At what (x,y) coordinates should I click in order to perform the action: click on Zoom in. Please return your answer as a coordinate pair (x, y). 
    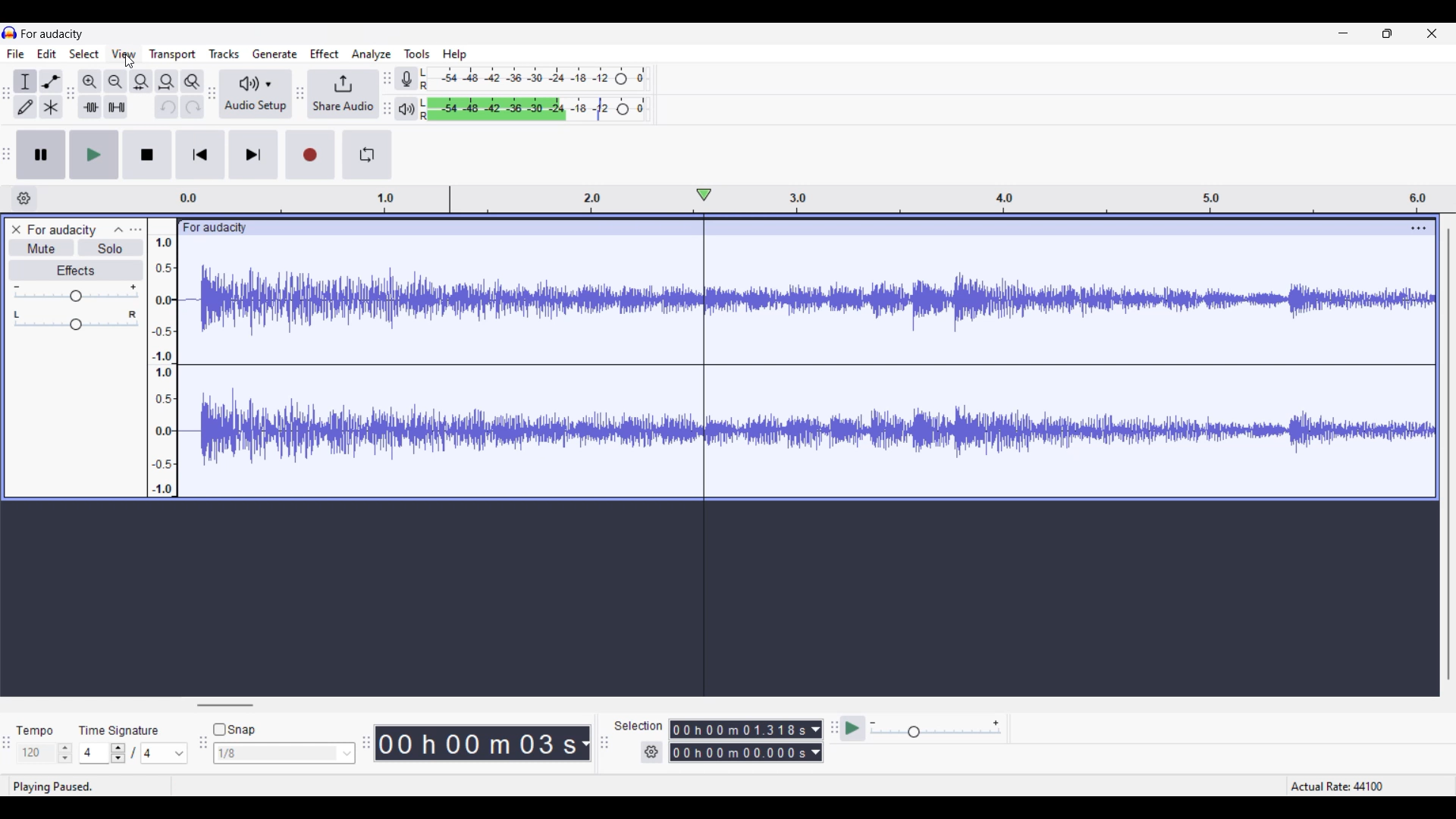
    Looking at the image, I should click on (89, 82).